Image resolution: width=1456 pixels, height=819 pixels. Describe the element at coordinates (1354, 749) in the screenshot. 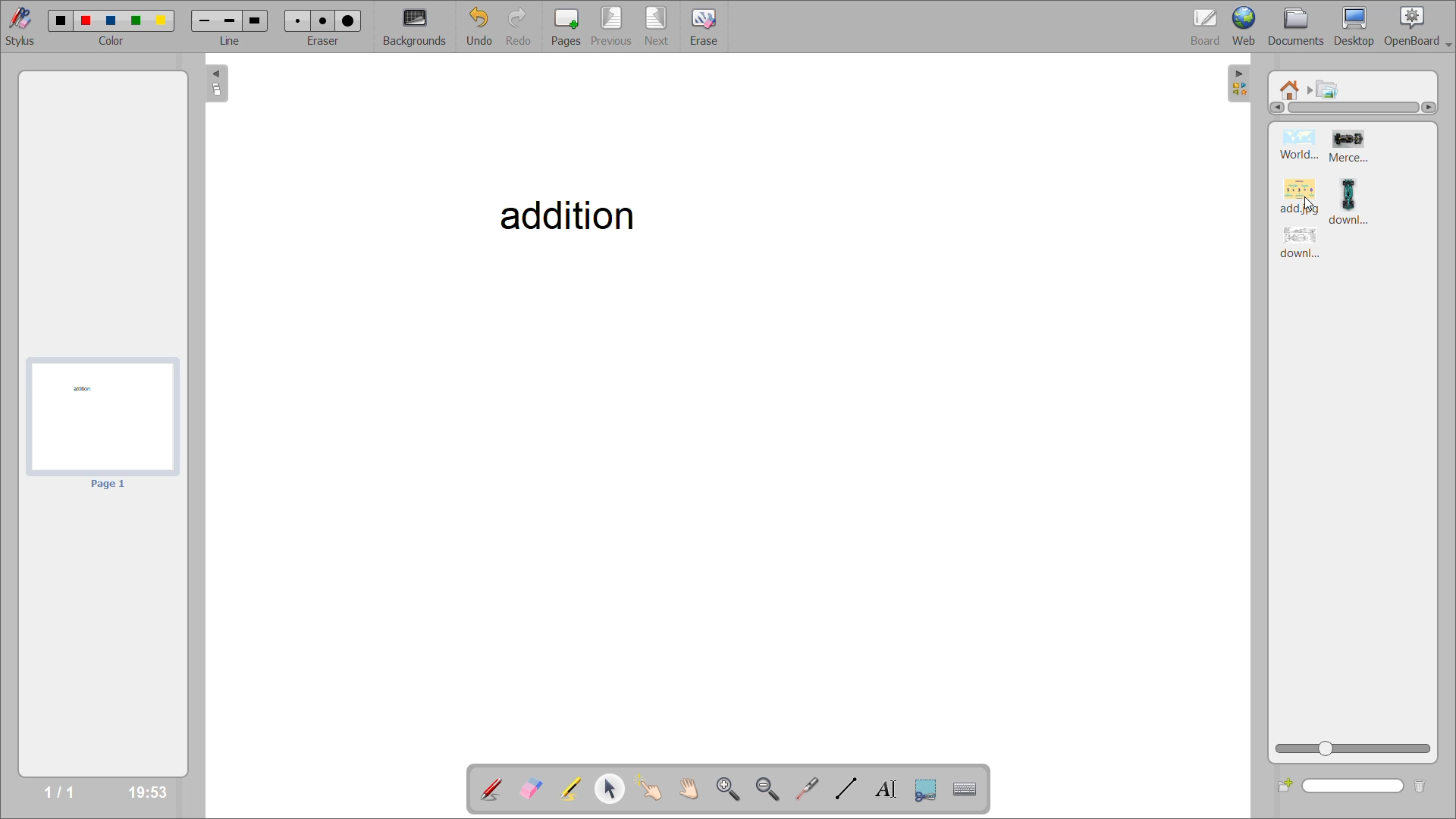

I see `zoom slider` at that location.